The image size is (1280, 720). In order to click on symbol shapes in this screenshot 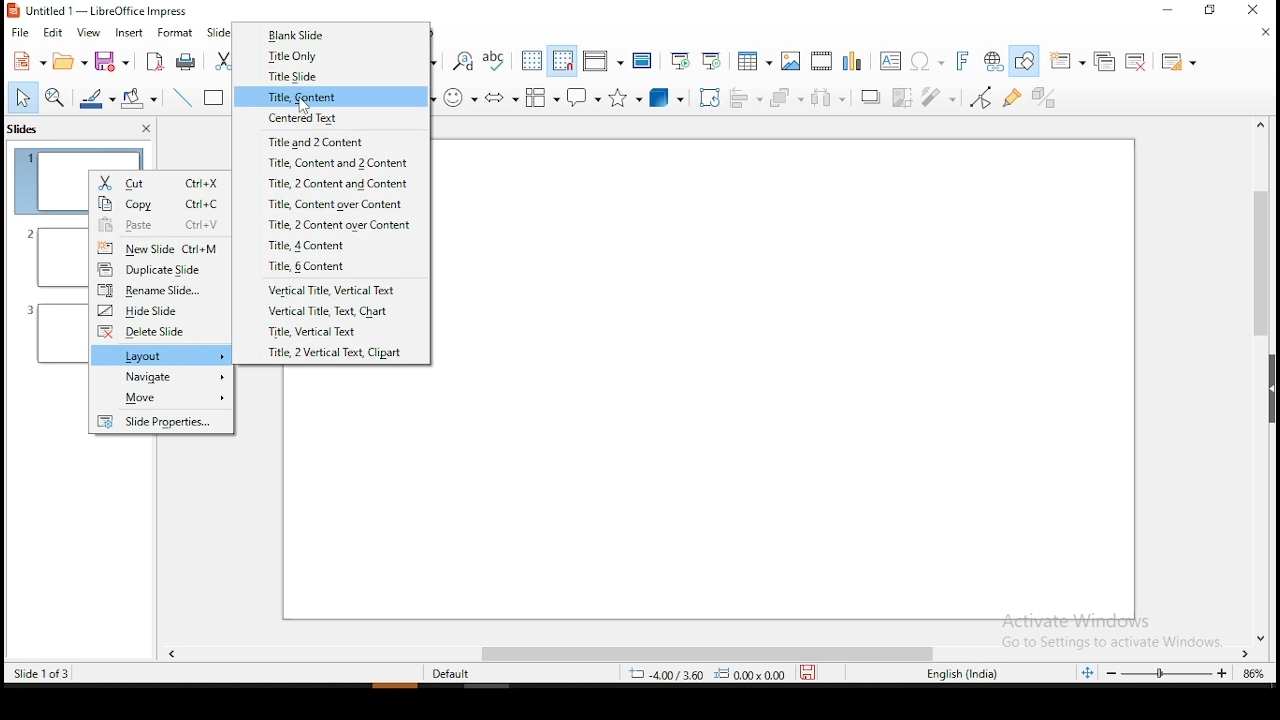, I will do `click(463, 99)`.